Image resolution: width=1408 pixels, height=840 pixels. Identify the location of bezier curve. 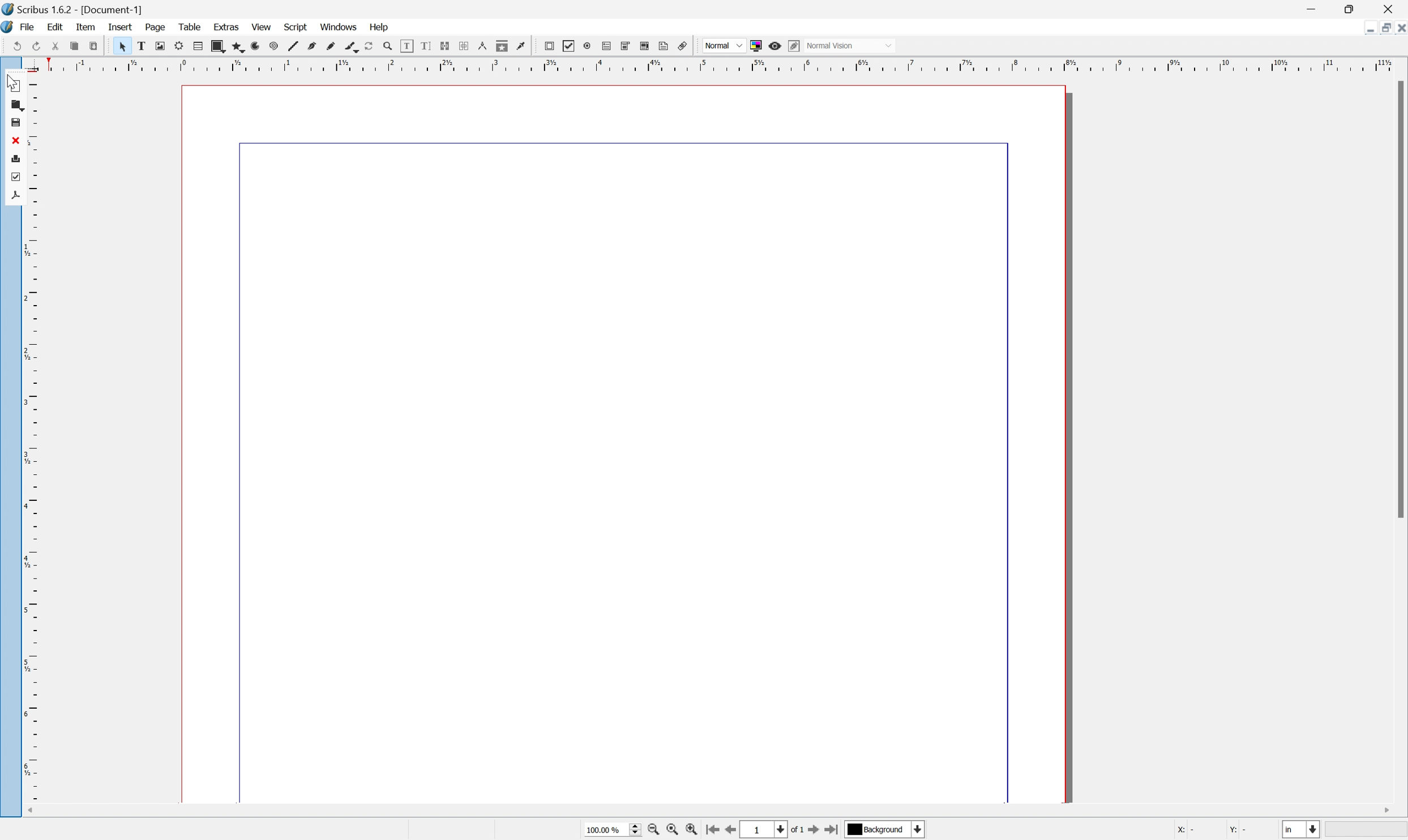
(443, 45).